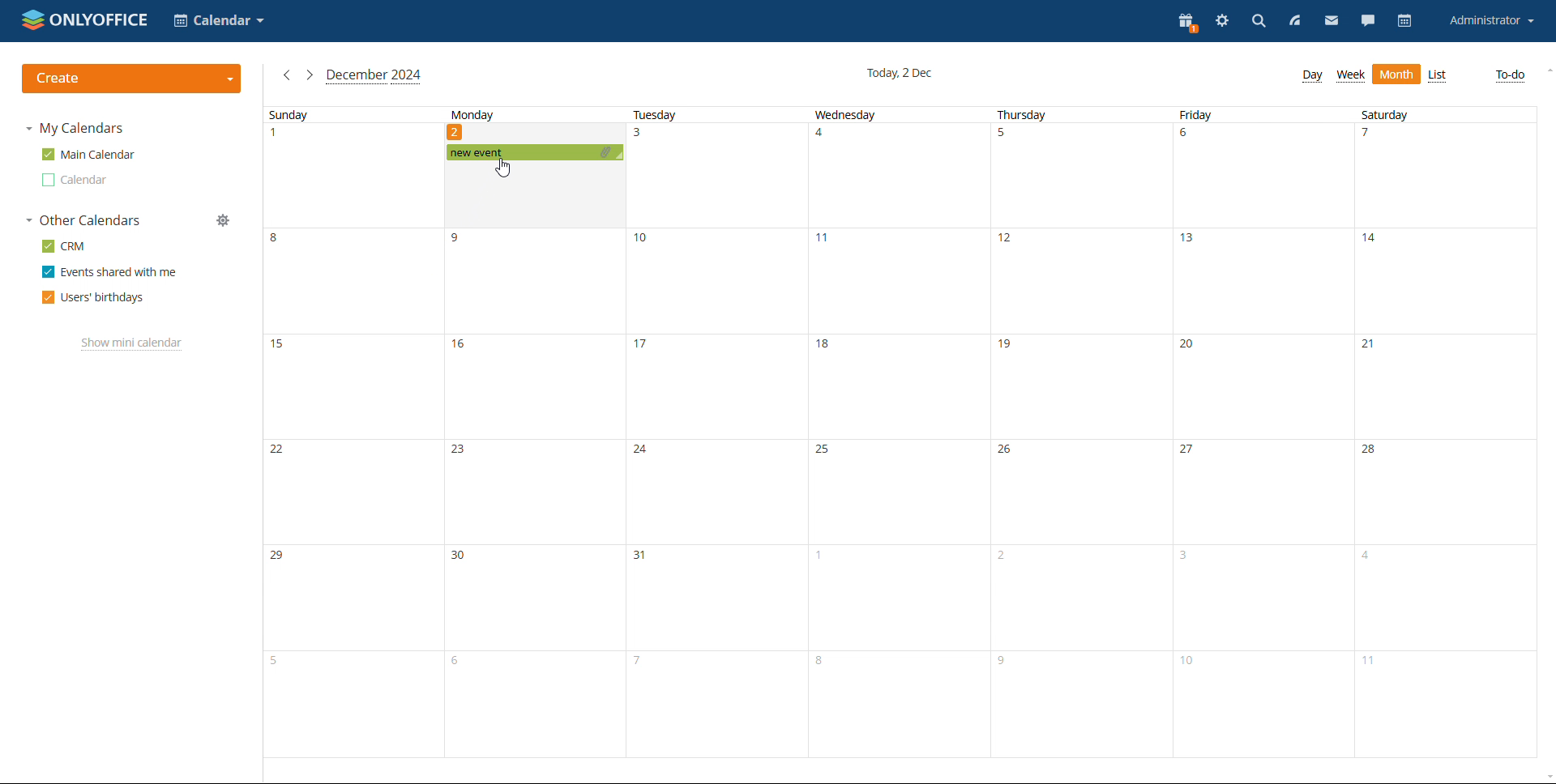  I want to click on other calendars, so click(83, 220).